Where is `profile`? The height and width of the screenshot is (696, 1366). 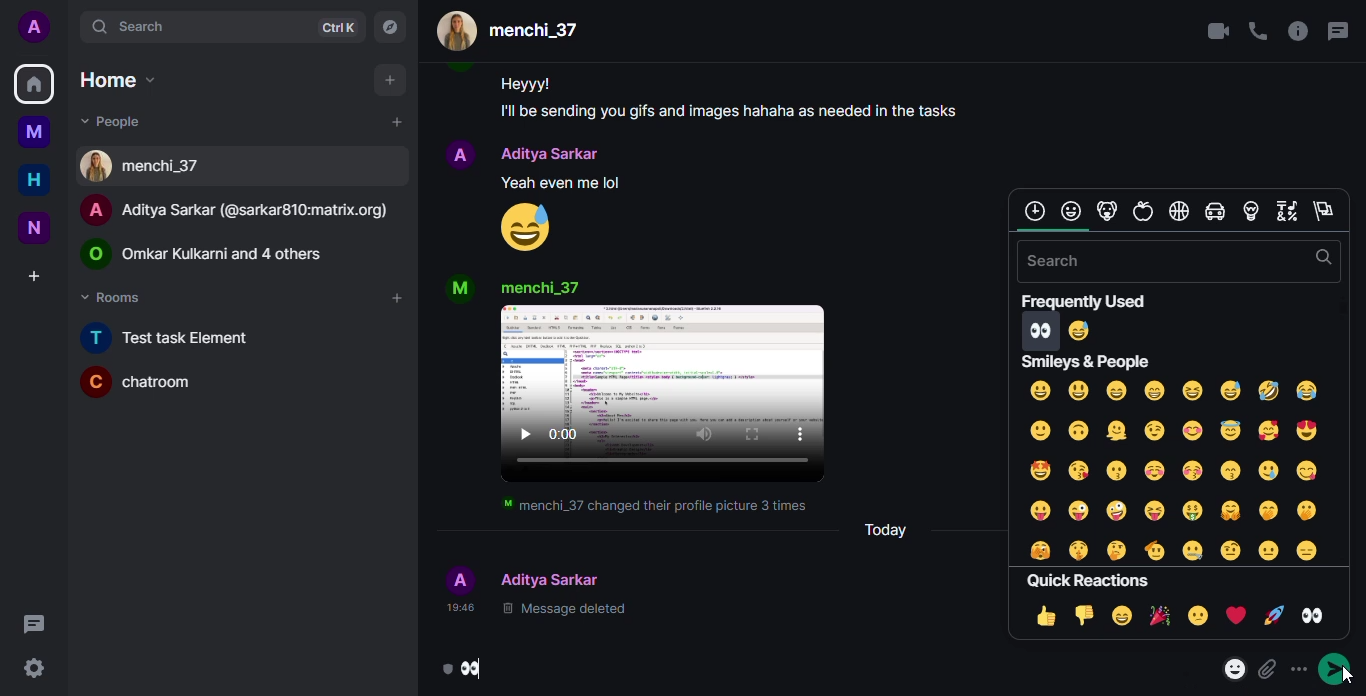
profile is located at coordinates (458, 289).